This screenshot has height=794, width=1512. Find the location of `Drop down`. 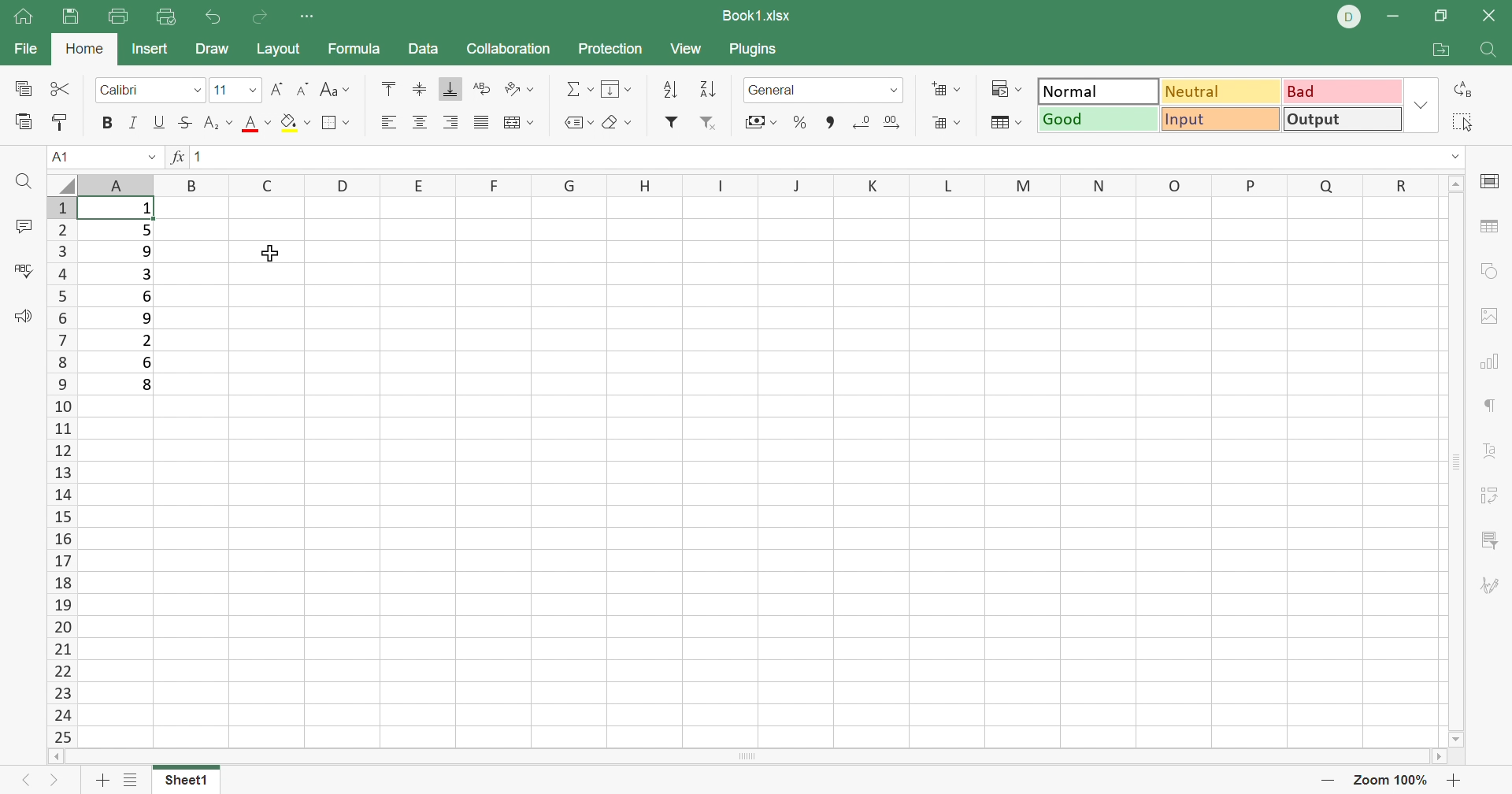

Drop down is located at coordinates (1421, 109).